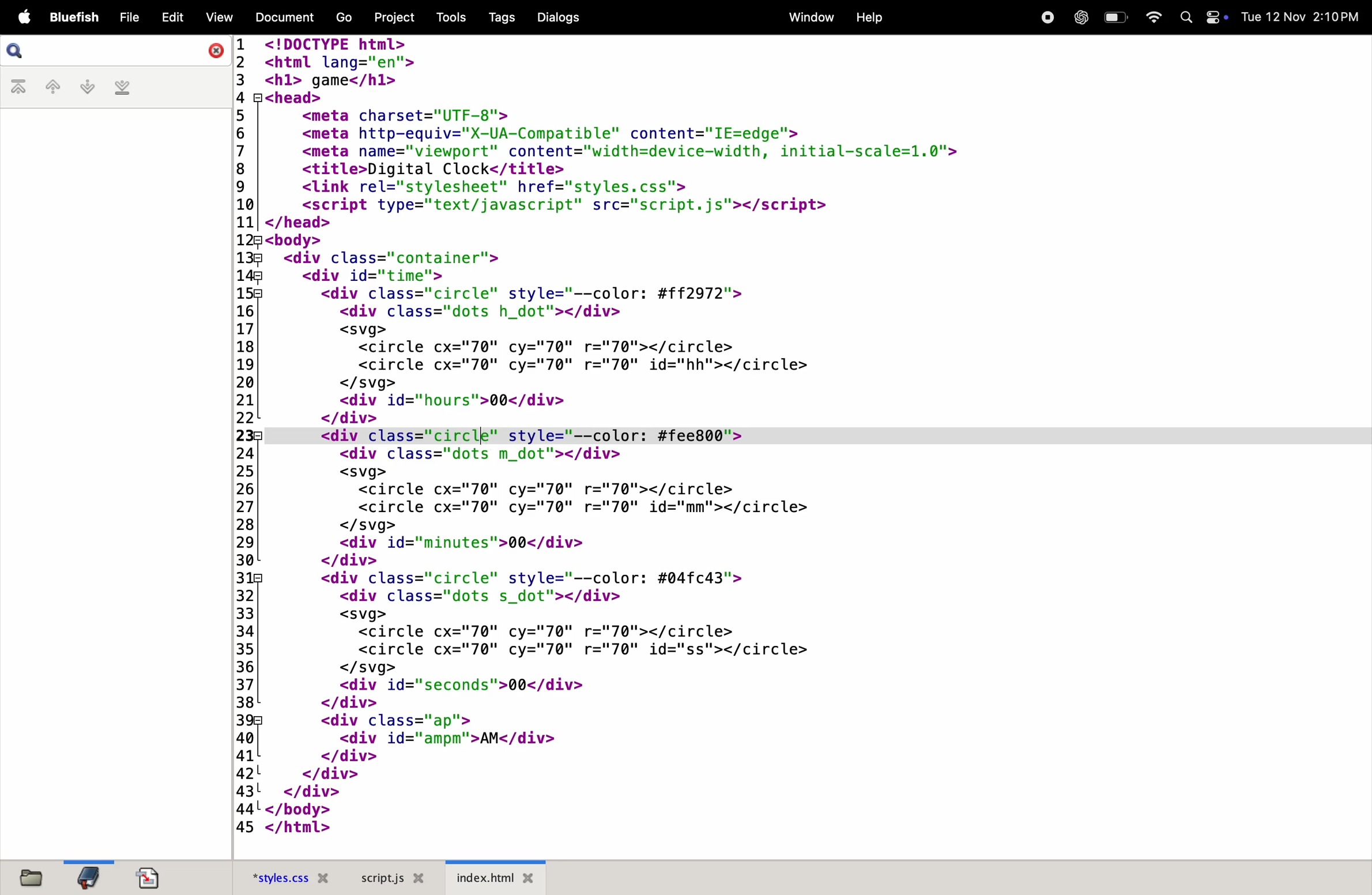 The height and width of the screenshot is (895, 1372). Describe the element at coordinates (125, 87) in the screenshot. I see `last bookmark` at that location.